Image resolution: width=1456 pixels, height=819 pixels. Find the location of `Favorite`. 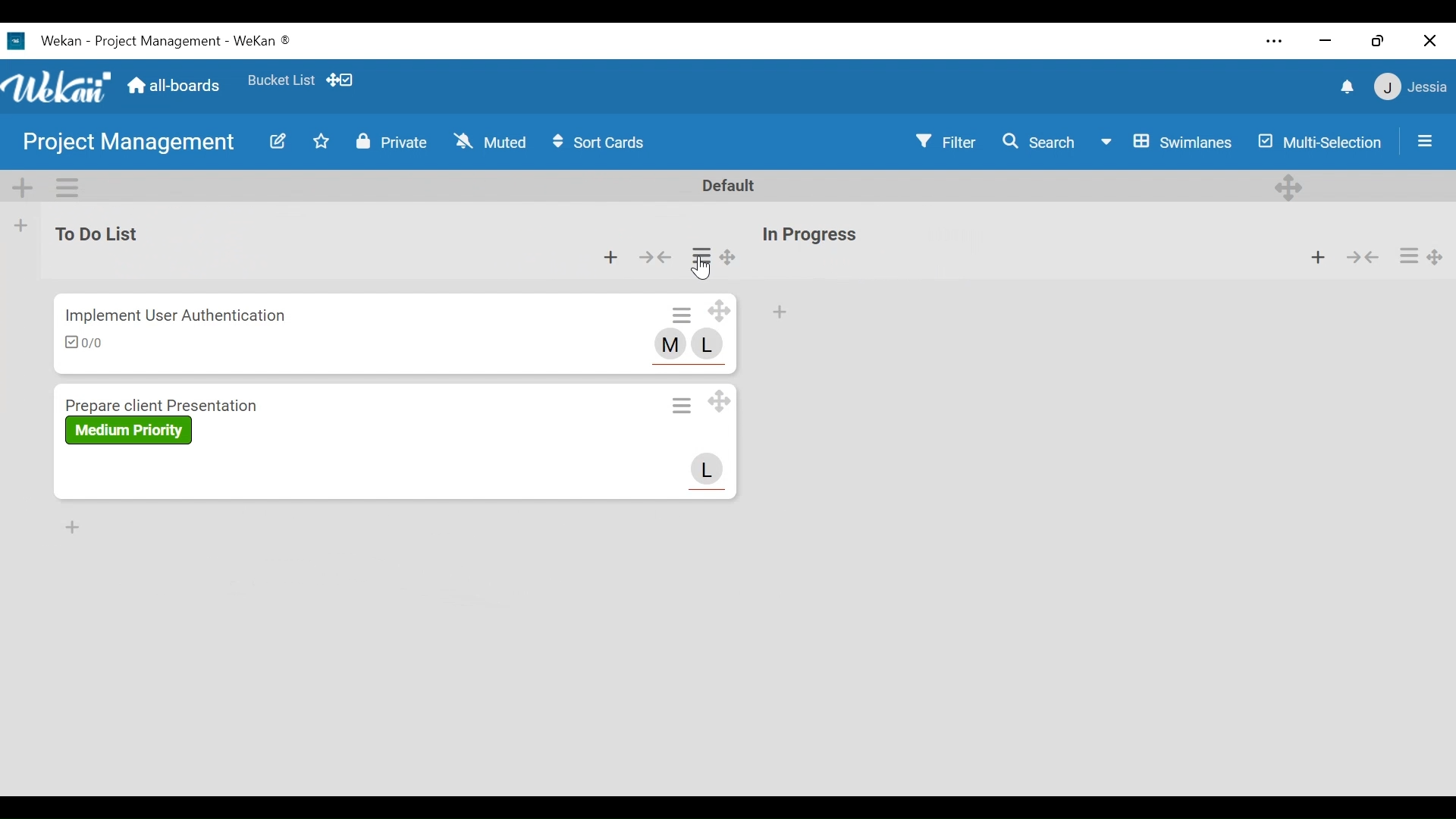

Favorite is located at coordinates (280, 80).